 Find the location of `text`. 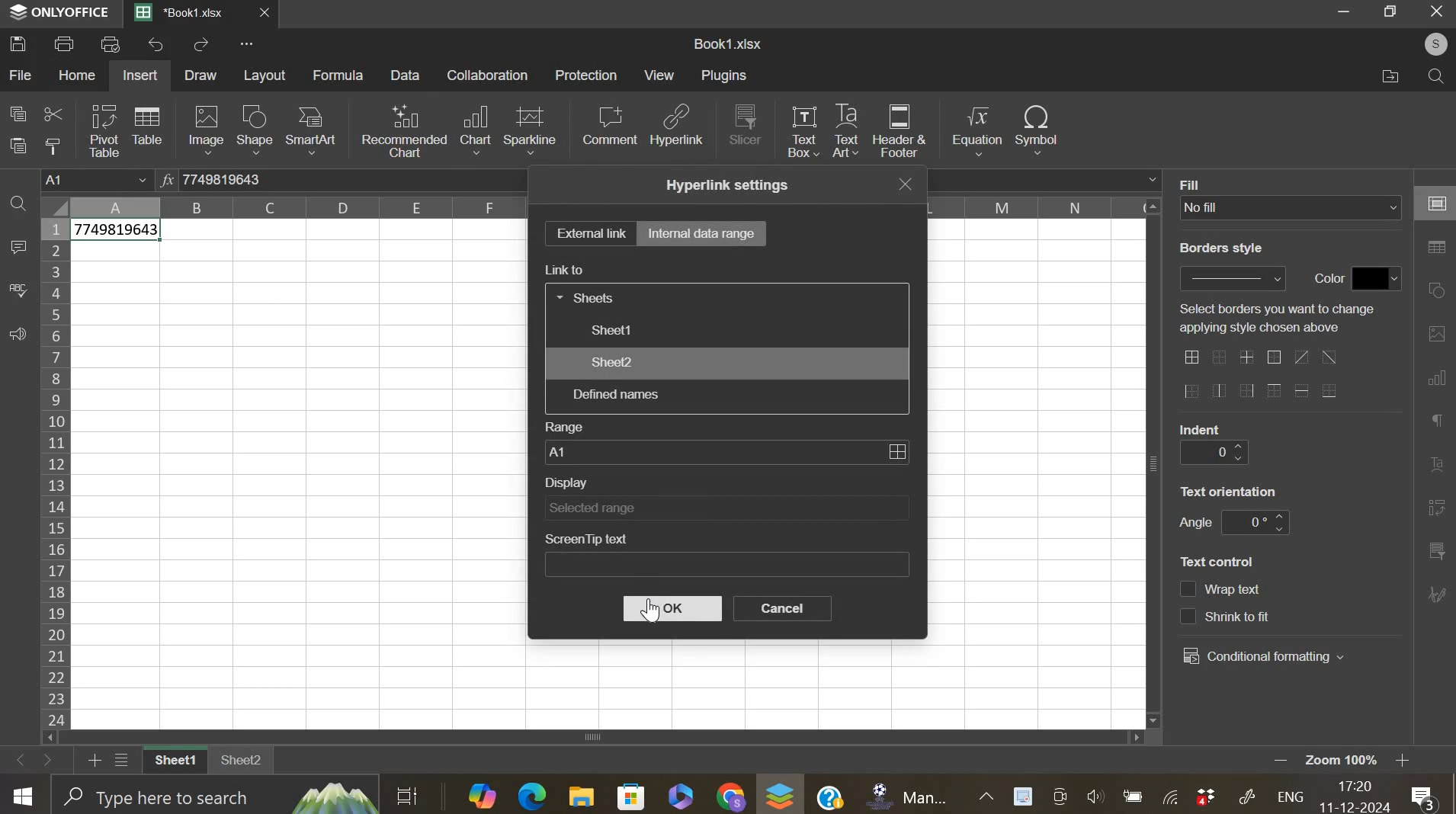

text is located at coordinates (1196, 183).